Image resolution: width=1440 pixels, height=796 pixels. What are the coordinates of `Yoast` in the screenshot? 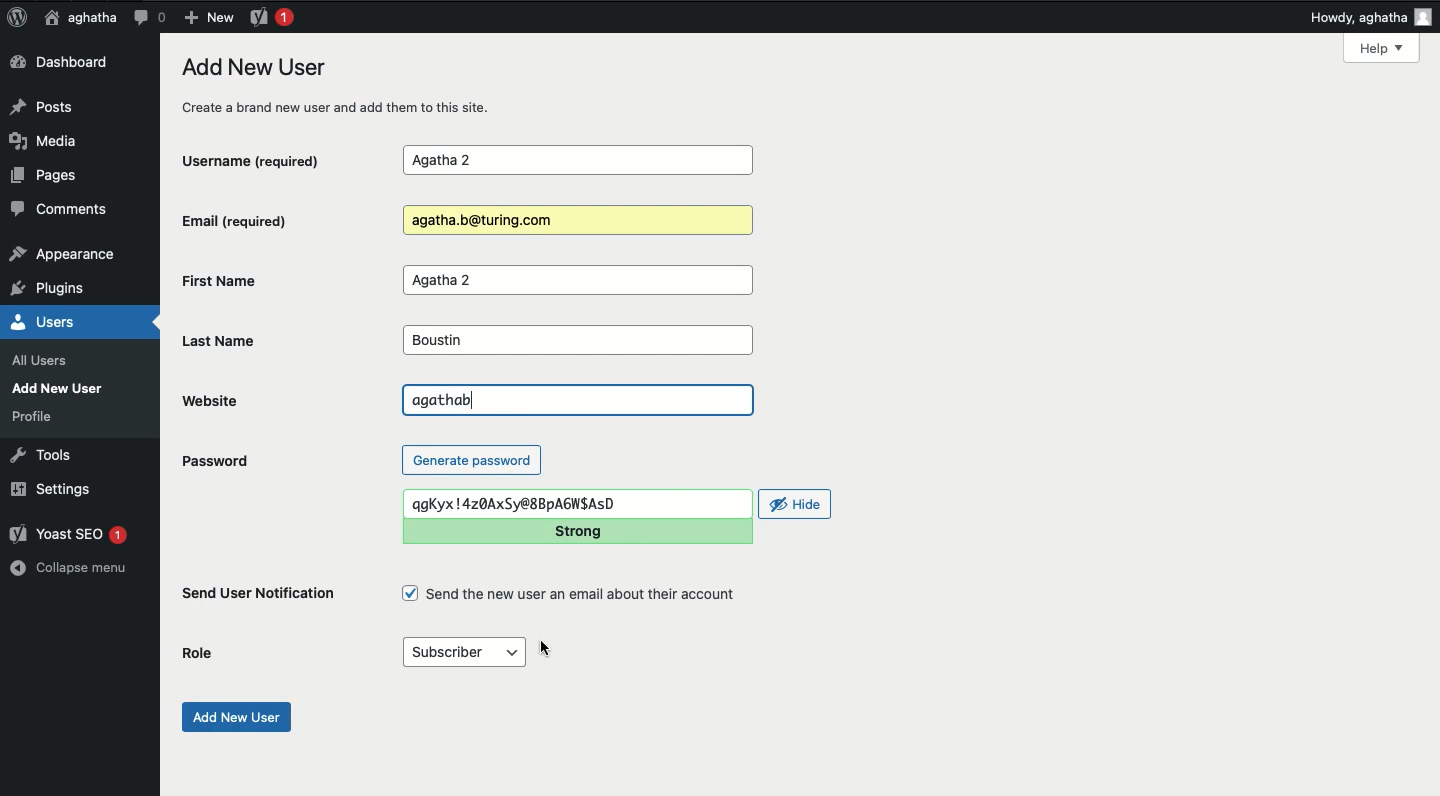 It's located at (270, 16).